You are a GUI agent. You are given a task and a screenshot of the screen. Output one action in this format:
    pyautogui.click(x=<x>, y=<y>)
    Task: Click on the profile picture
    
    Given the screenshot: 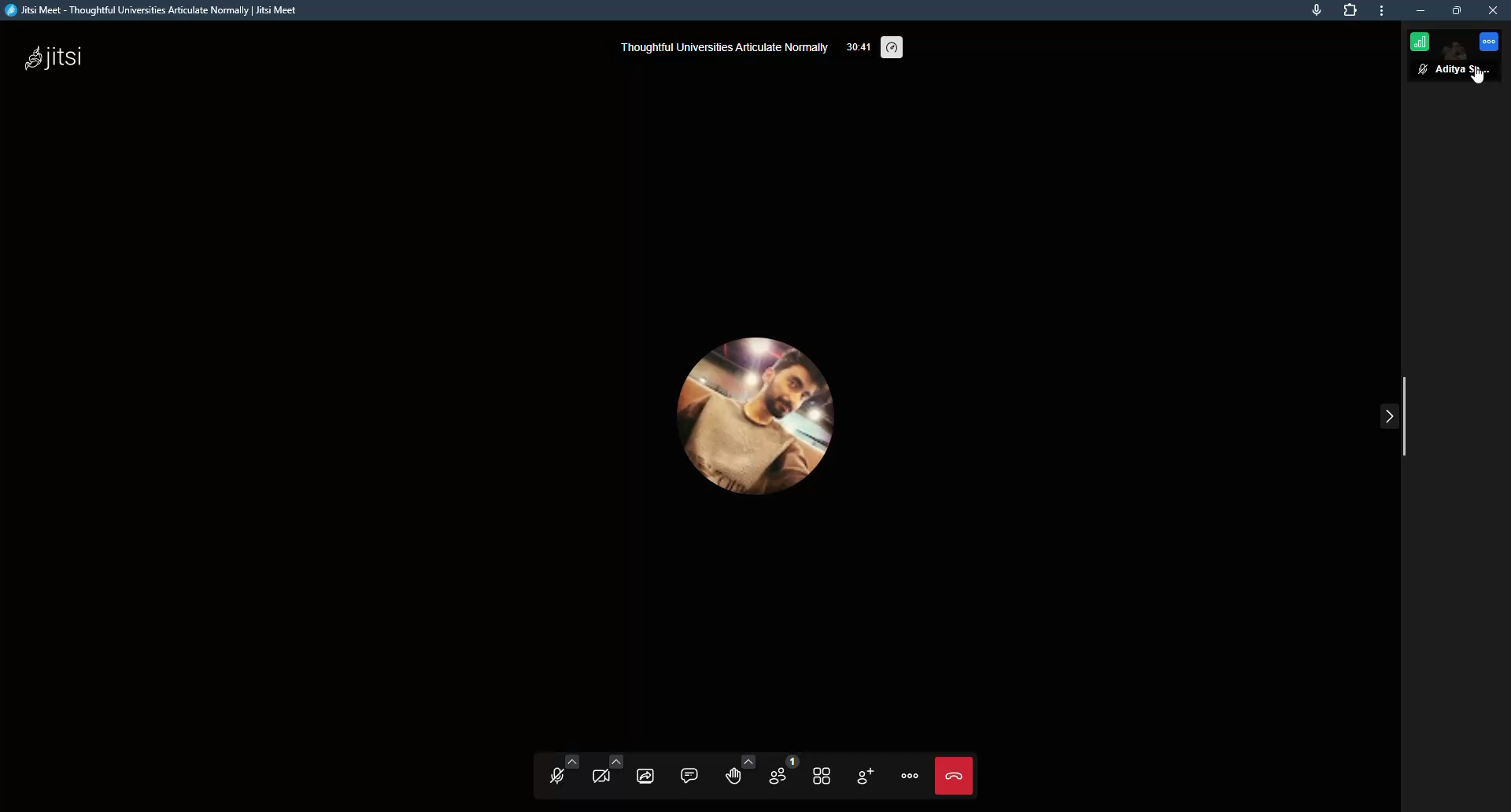 What is the action you would take?
    pyautogui.click(x=766, y=416)
    